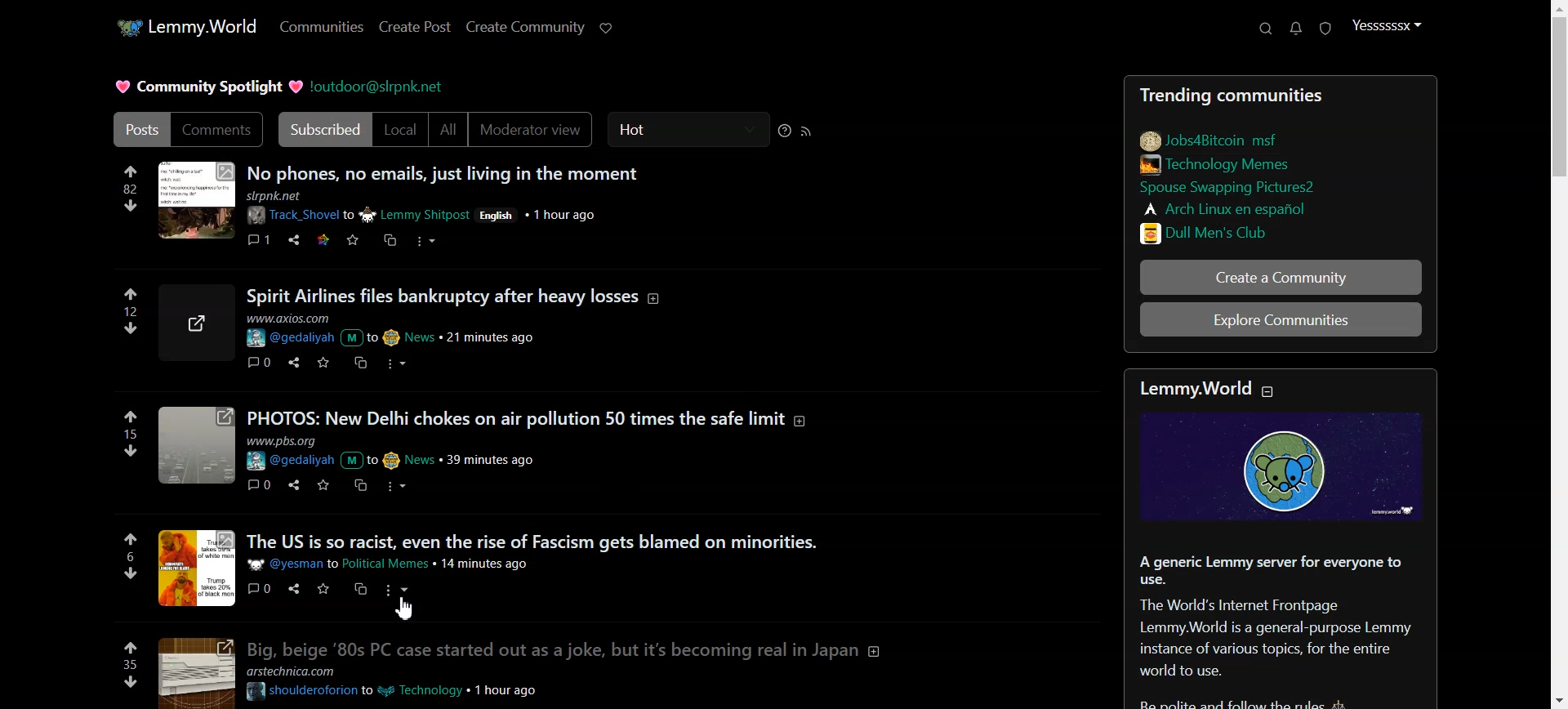  Describe the element at coordinates (320, 485) in the screenshot. I see `save` at that location.